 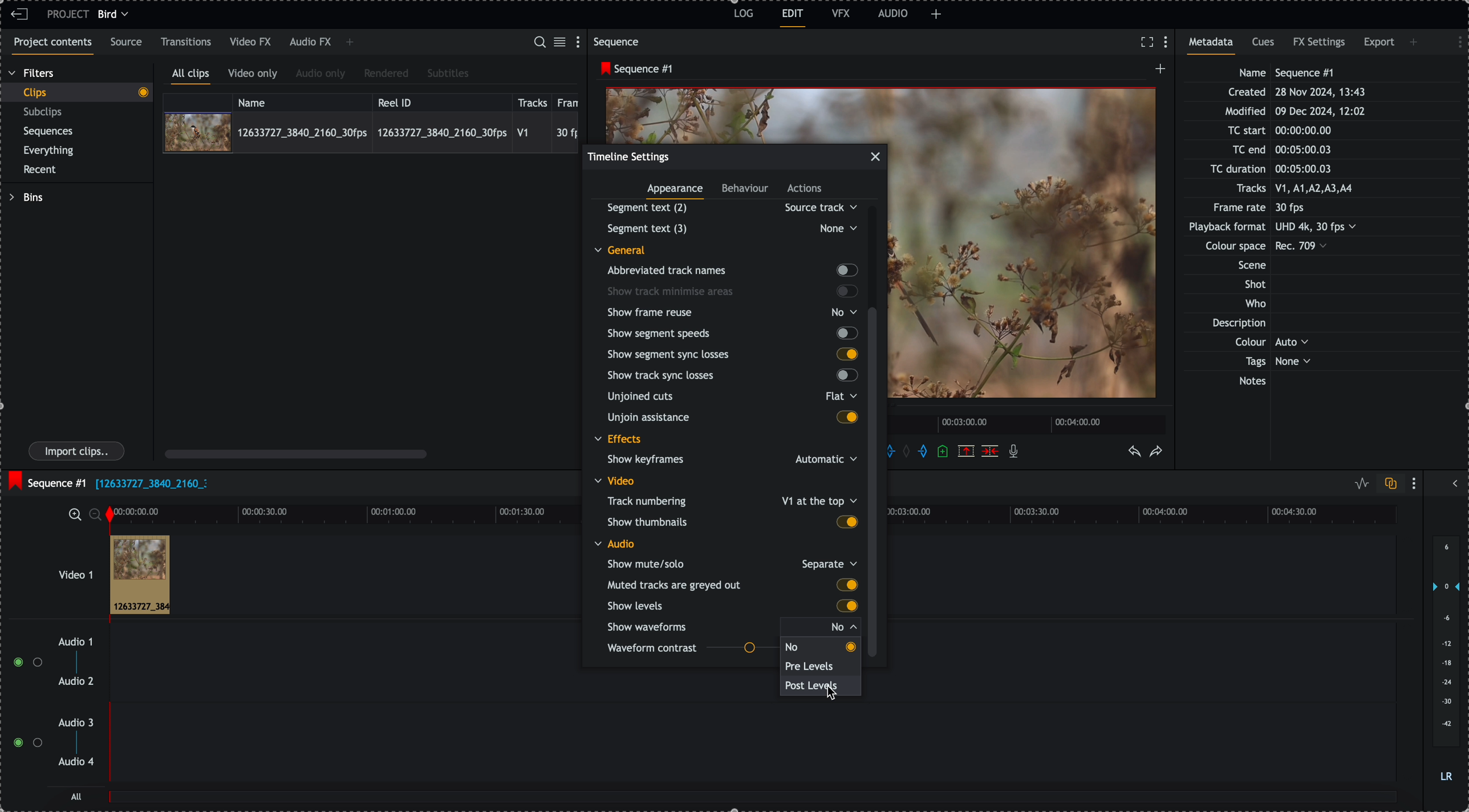 What do you see at coordinates (1284, 228) in the screenshot?
I see `metadata` at bounding box center [1284, 228].